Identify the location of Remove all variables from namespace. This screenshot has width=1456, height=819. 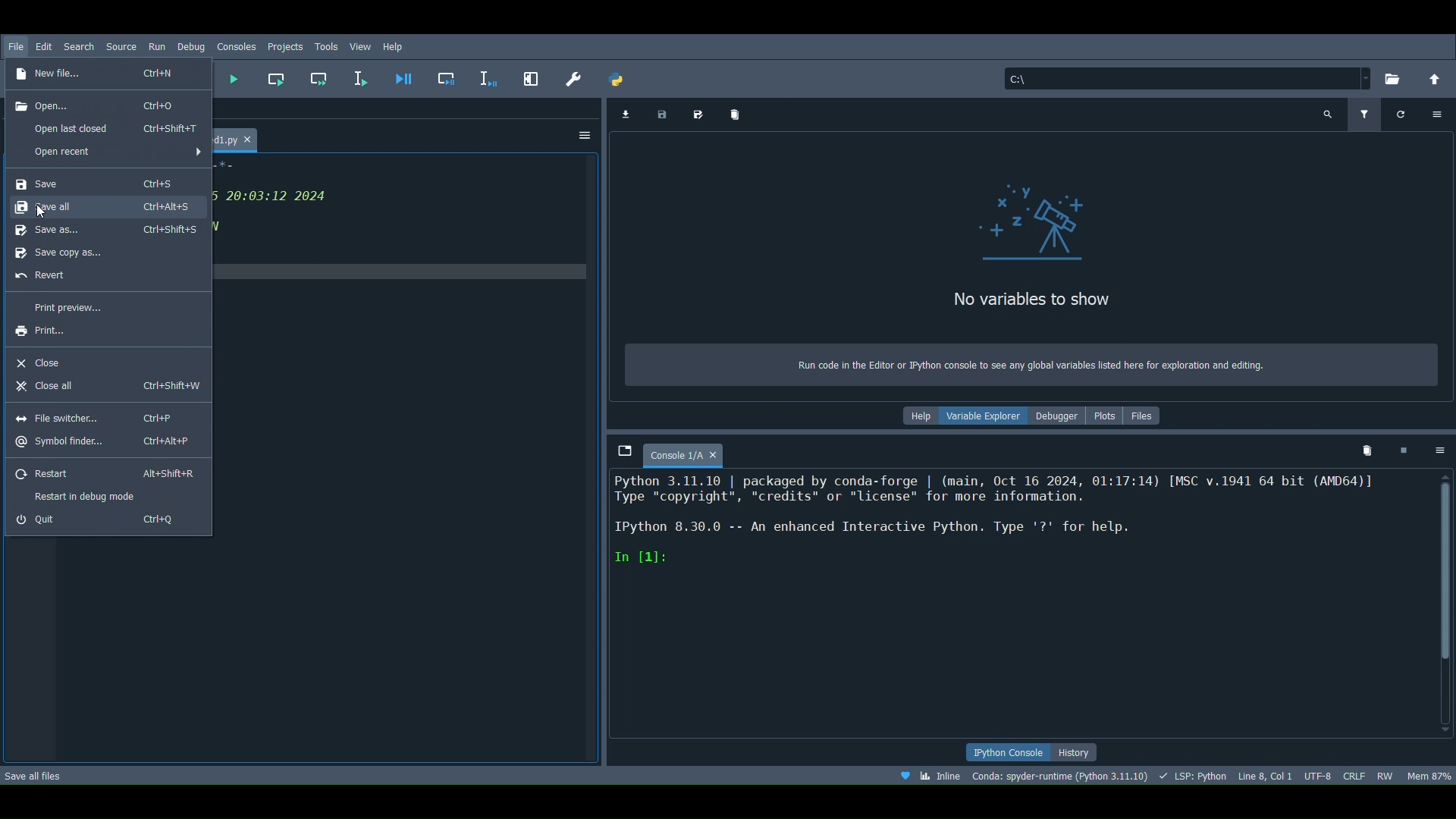
(1368, 450).